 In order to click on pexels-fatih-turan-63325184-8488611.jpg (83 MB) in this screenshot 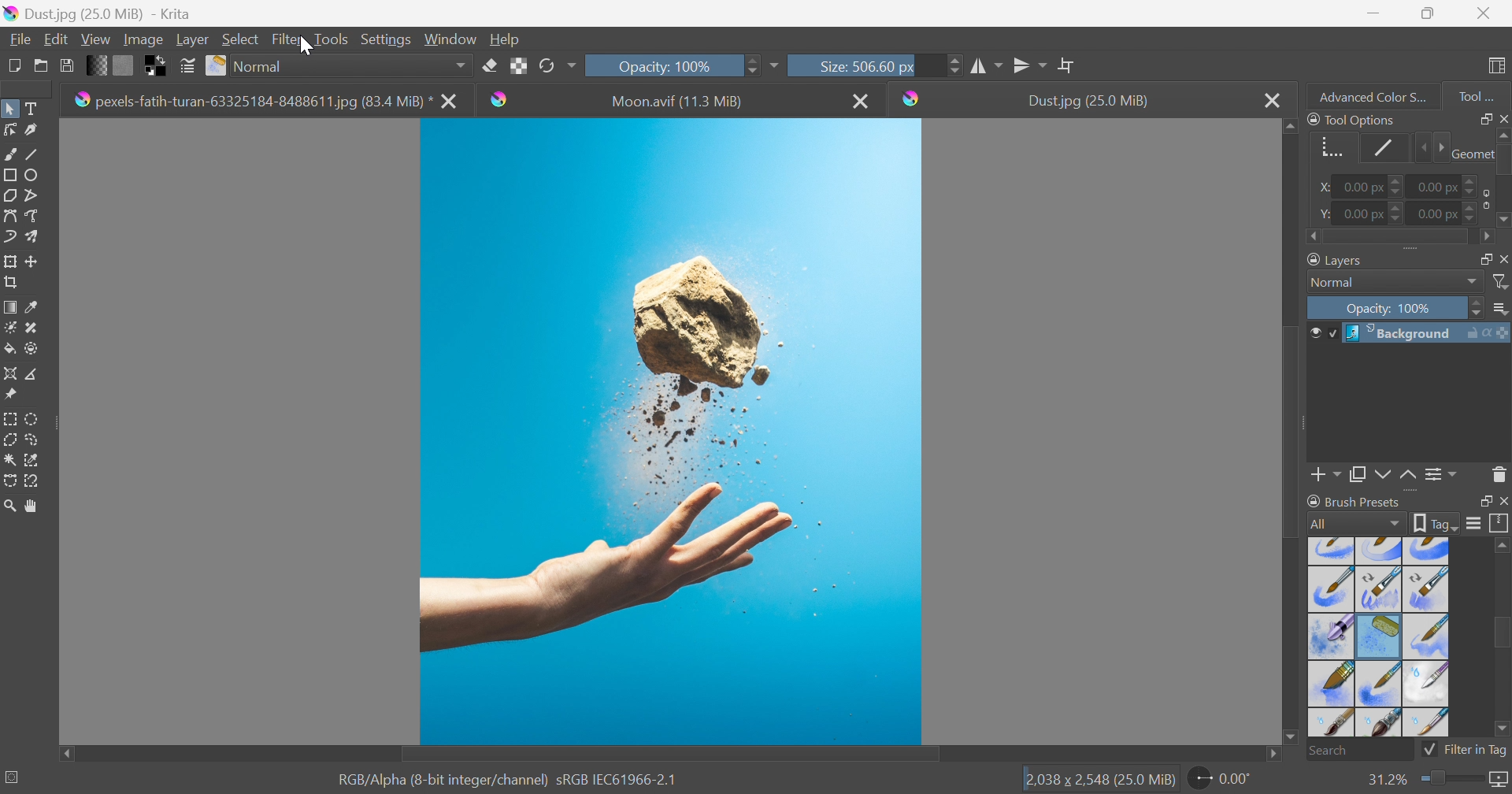, I will do `click(254, 100)`.